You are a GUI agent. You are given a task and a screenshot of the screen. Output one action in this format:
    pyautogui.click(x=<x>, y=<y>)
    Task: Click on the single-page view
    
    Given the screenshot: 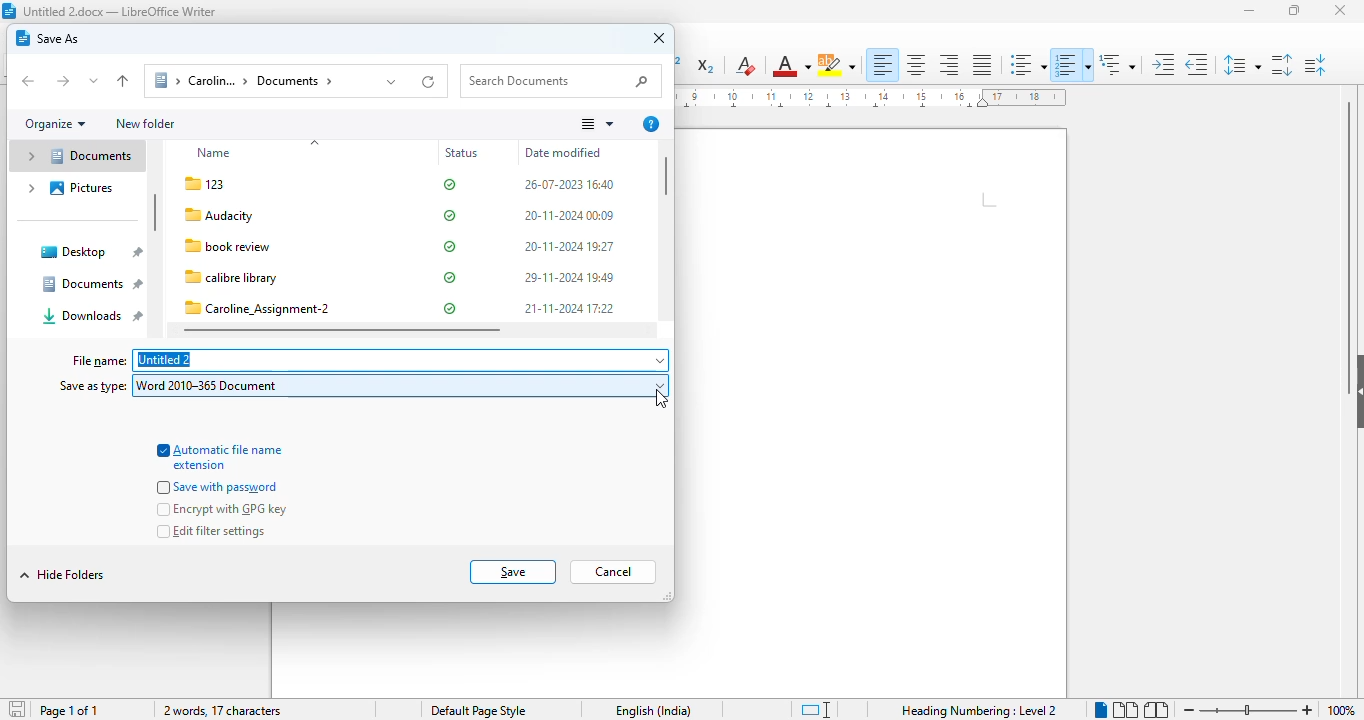 What is the action you would take?
    pyautogui.click(x=1101, y=710)
    